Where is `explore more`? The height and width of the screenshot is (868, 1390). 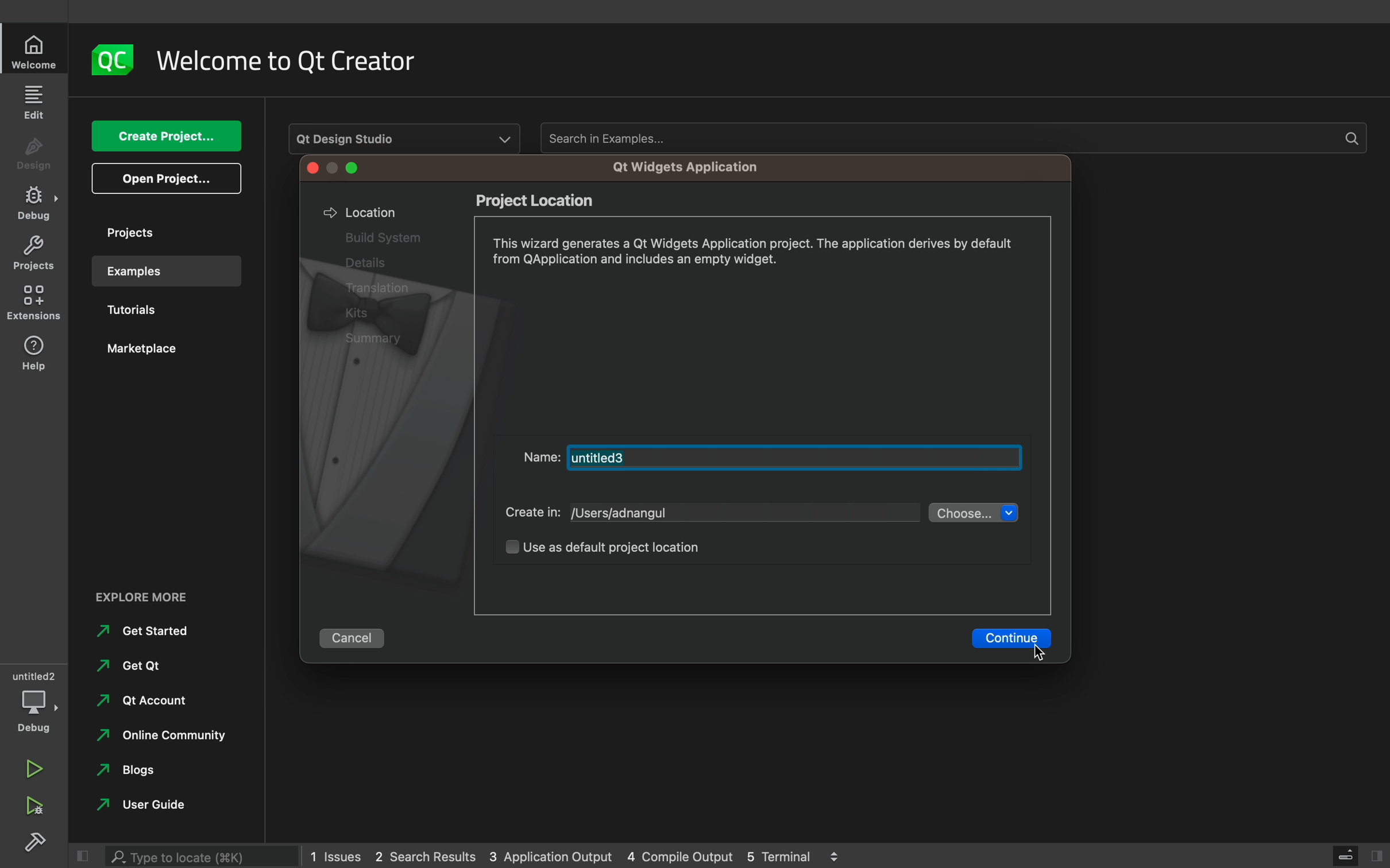 explore more is located at coordinates (155, 597).